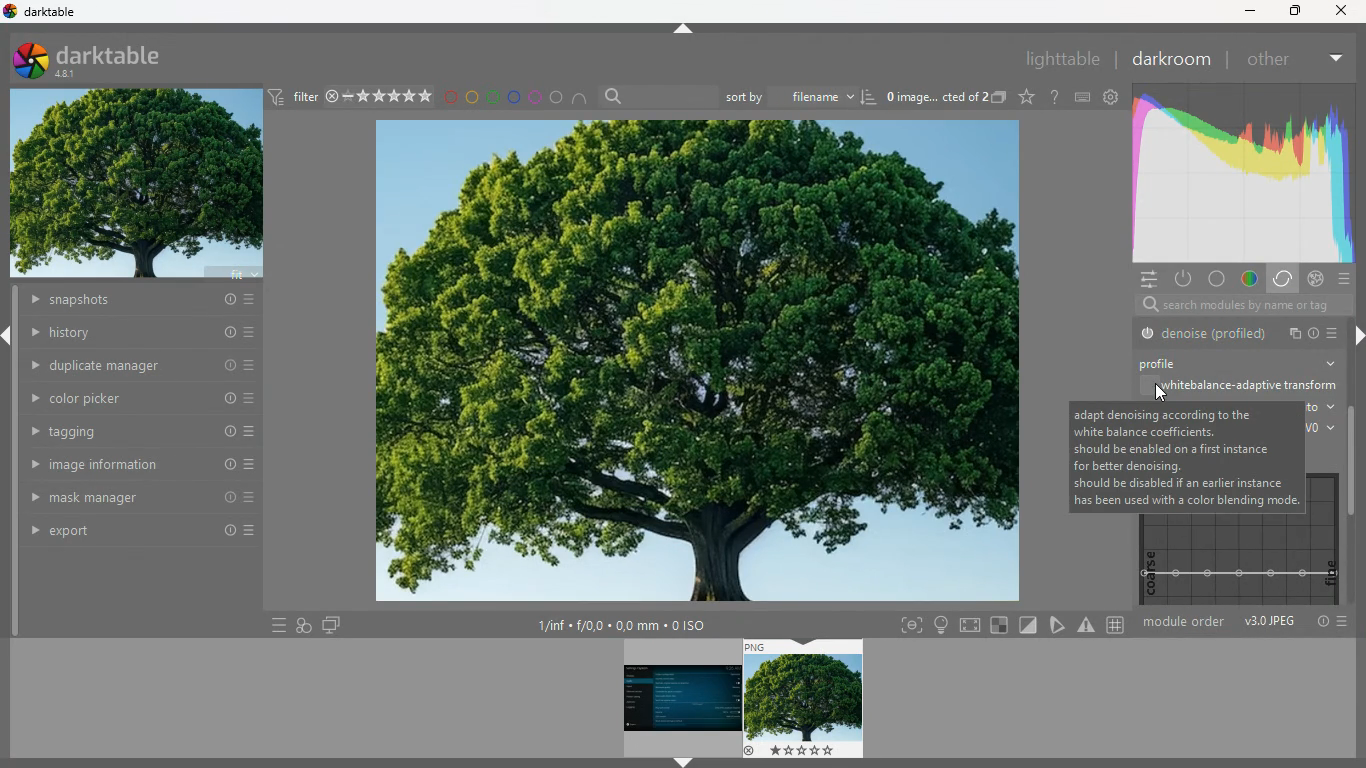 This screenshot has height=768, width=1366. Describe the element at coordinates (1314, 332) in the screenshot. I see `profile` at that location.